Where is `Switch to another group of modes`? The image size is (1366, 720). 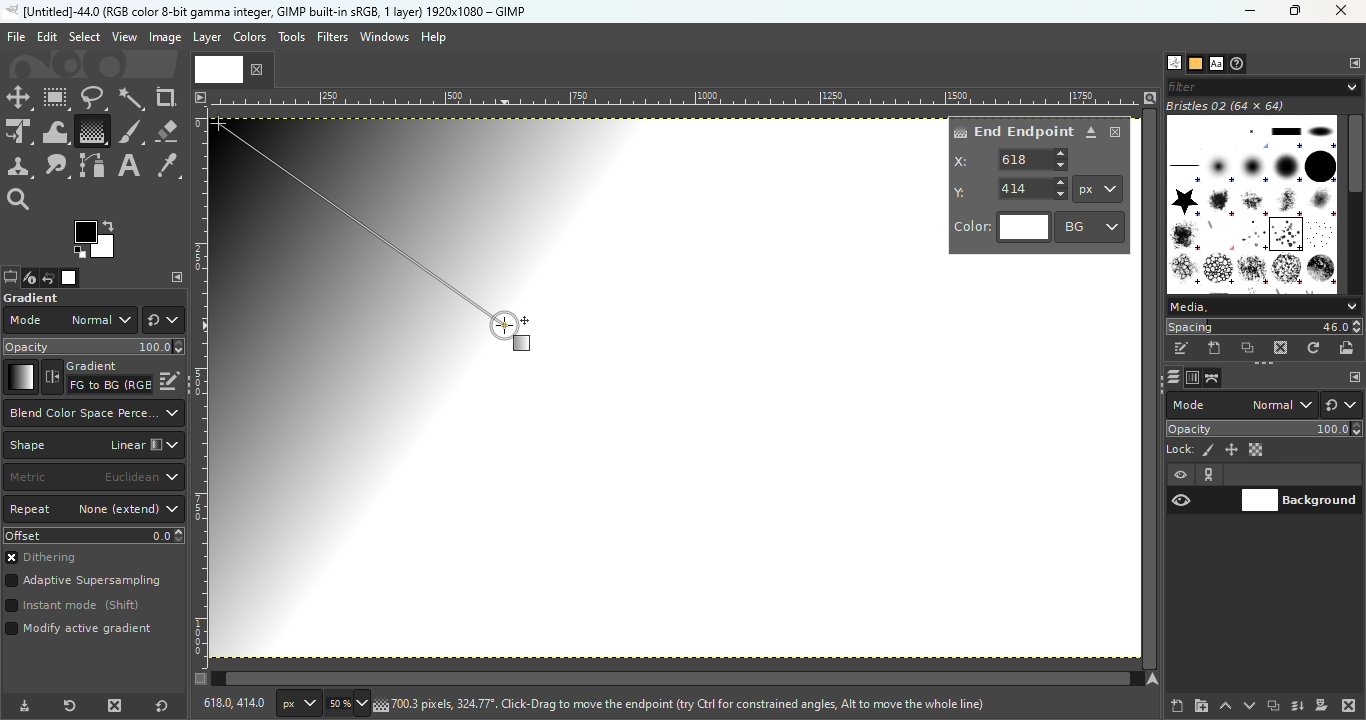 Switch to another group of modes is located at coordinates (163, 320).